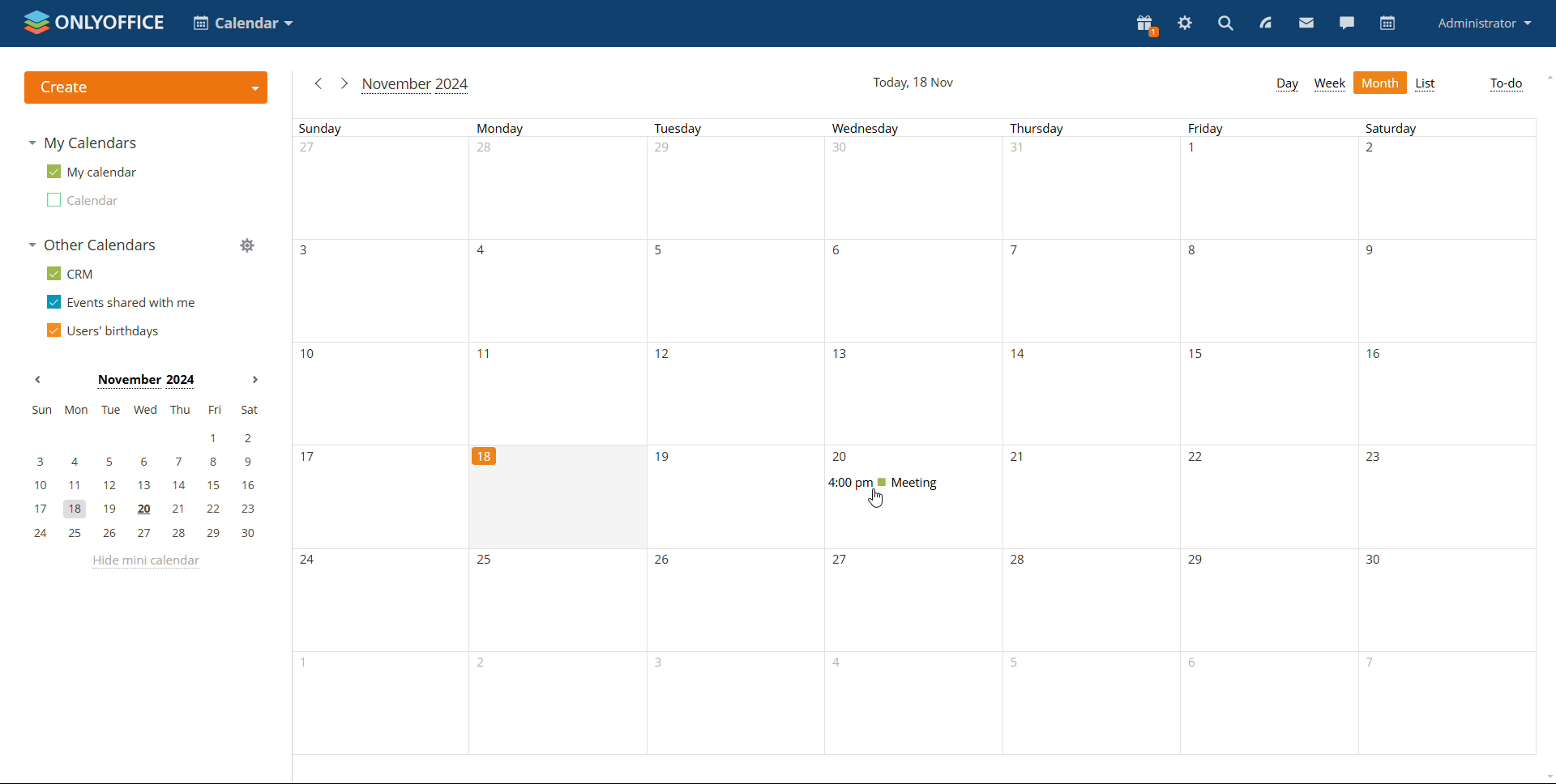 The width and height of the screenshot is (1556, 784). What do you see at coordinates (247, 245) in the screenshot?
I see `manage` at bounding box center [247, 245].